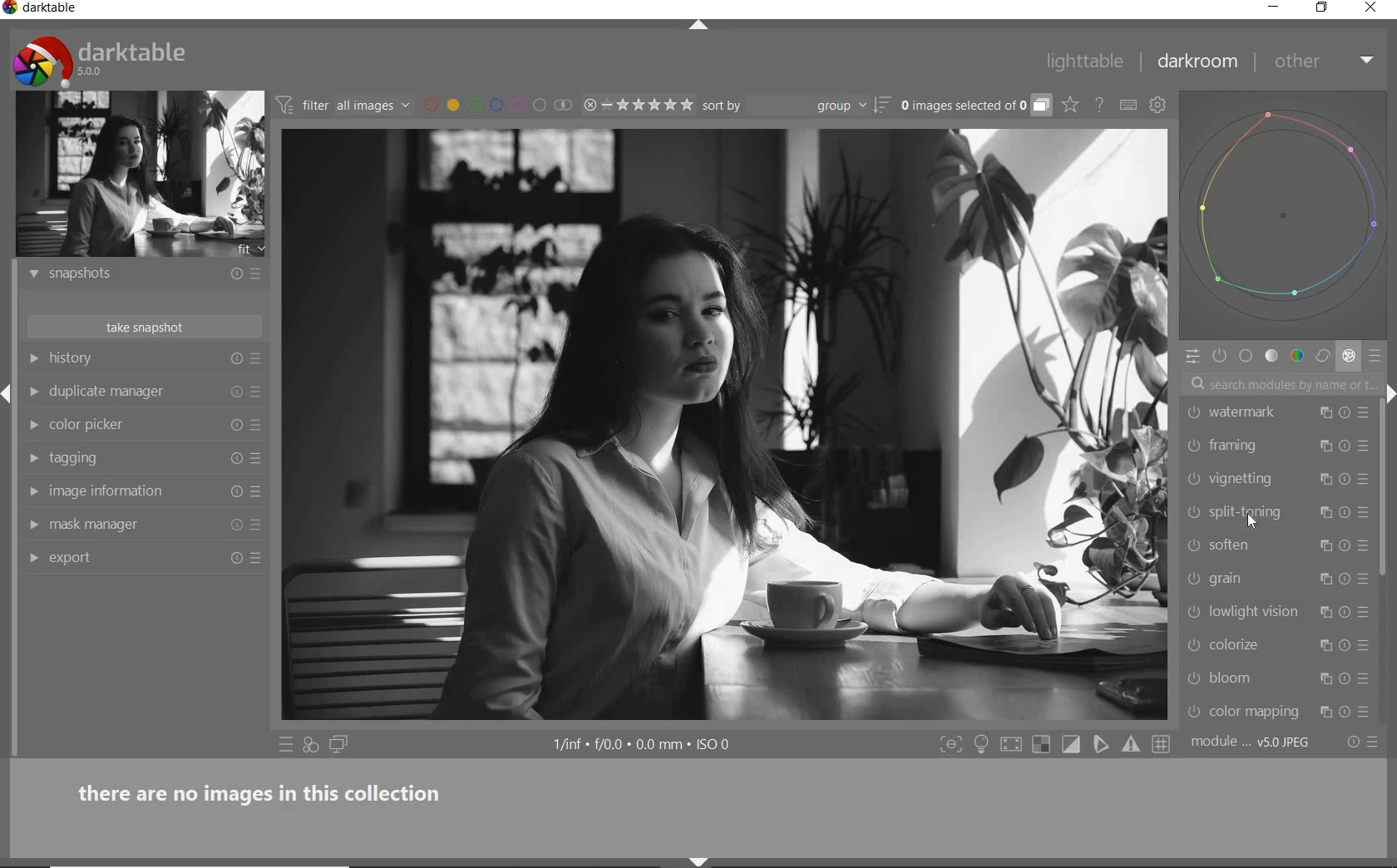 The width and height of the screenshot is (1397, 868). I want to click on sort, so click(795, 106).